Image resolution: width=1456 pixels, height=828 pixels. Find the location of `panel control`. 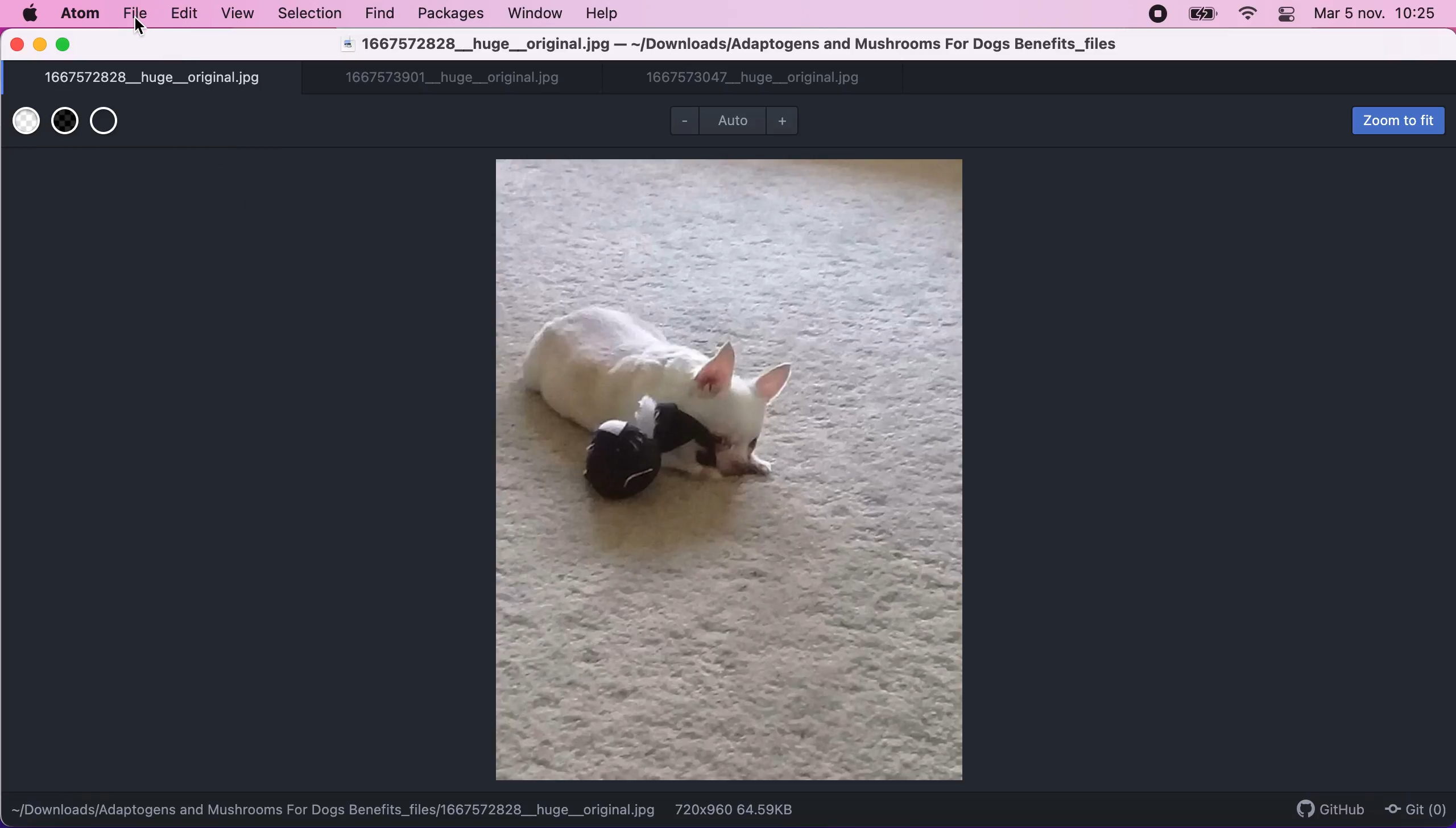

panel control is located at coordinates (1288, 15).